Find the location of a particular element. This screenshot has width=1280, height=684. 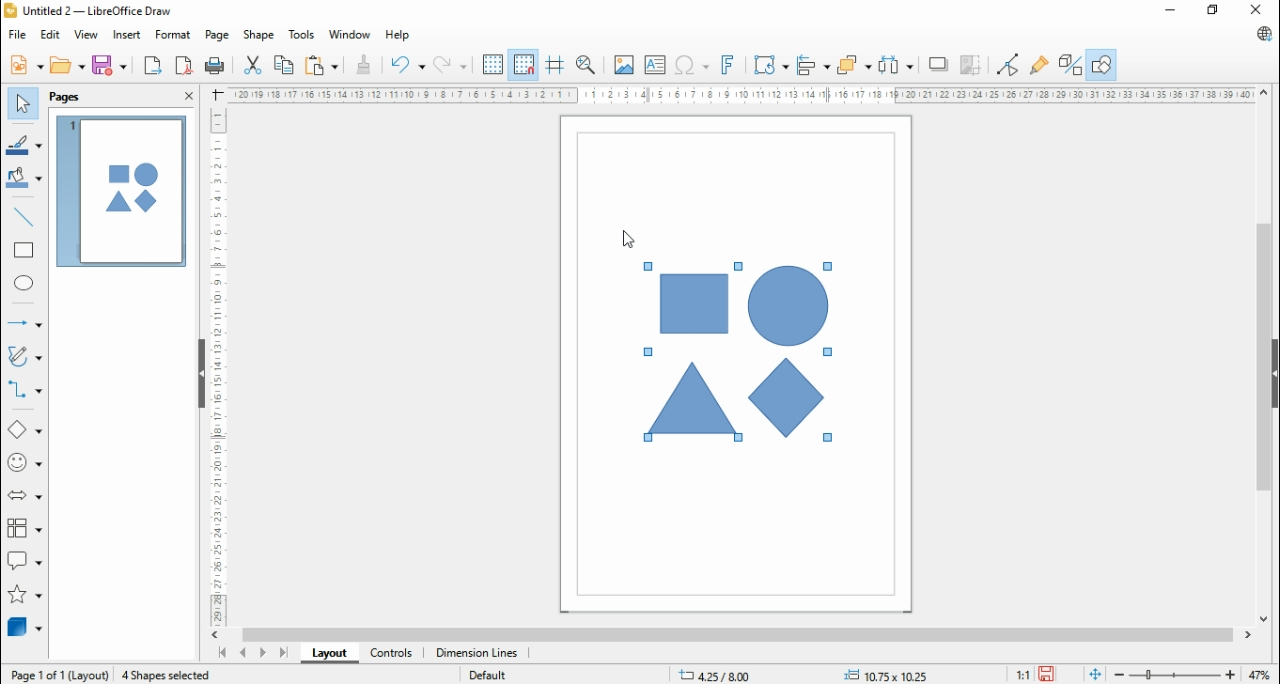

shadow is located at coordinates (936, 64).